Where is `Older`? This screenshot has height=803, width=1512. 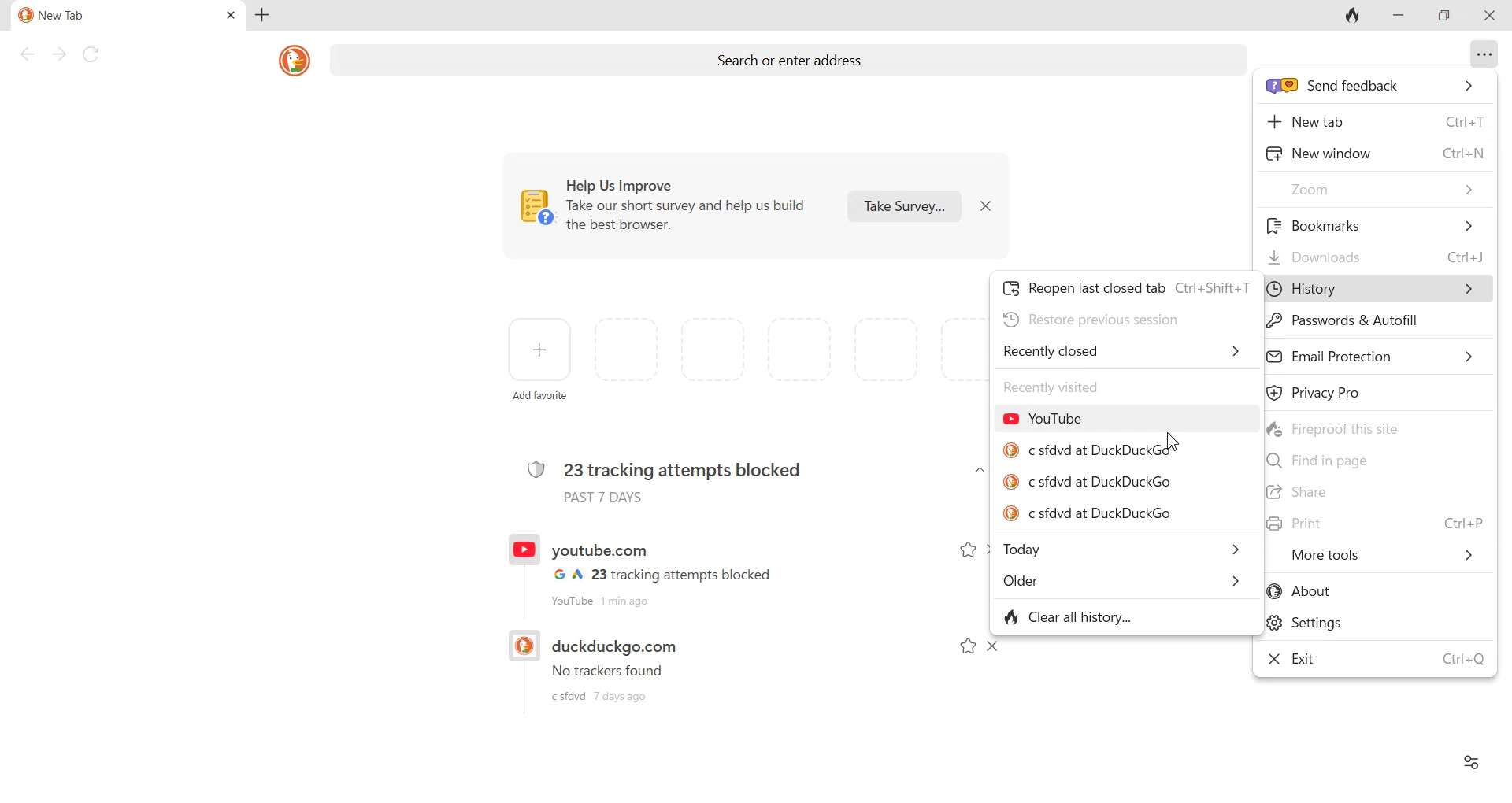
Older is located at coordinates (1123, 579).